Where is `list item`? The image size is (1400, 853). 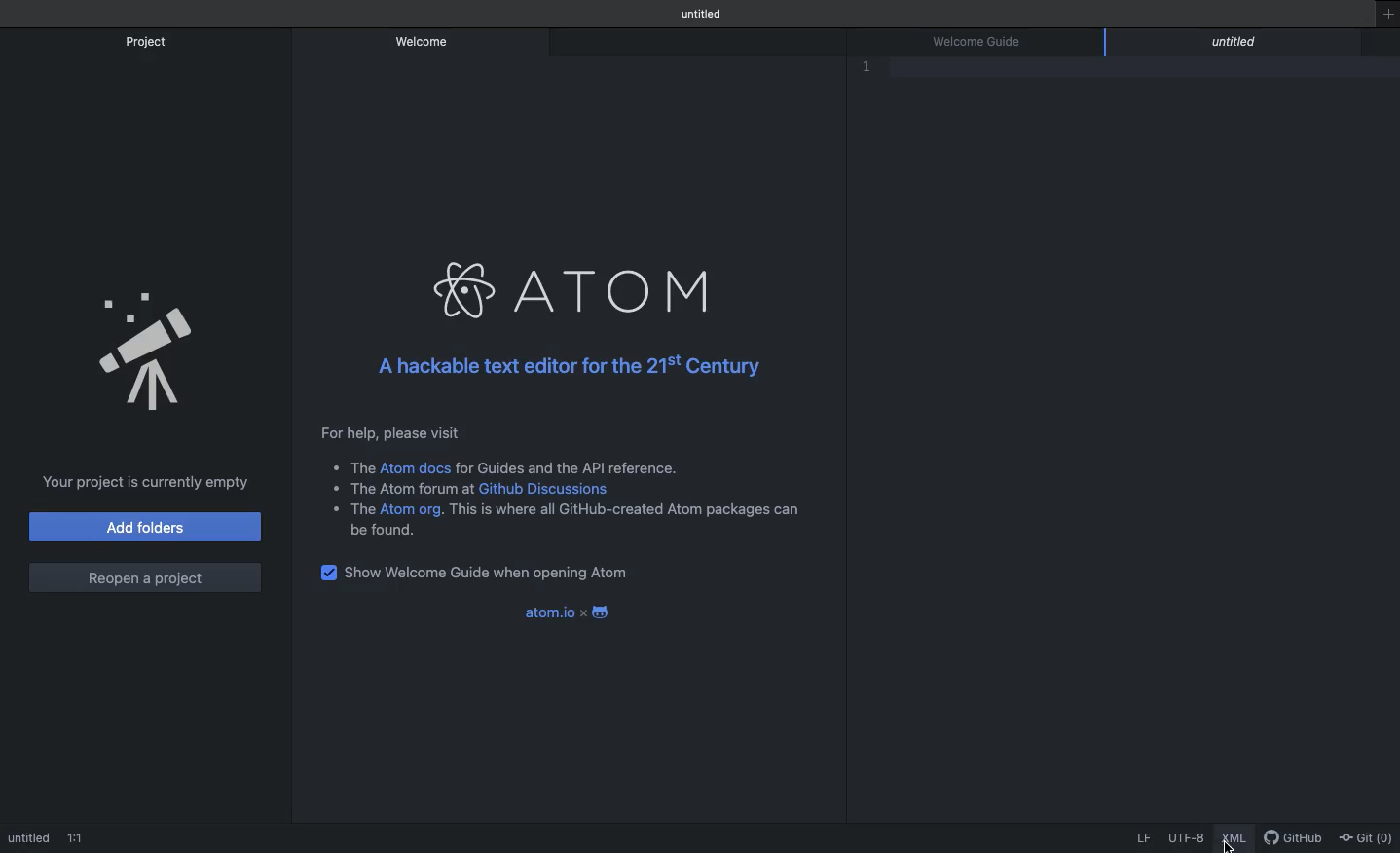 list item is located at coordinates (393, 488).